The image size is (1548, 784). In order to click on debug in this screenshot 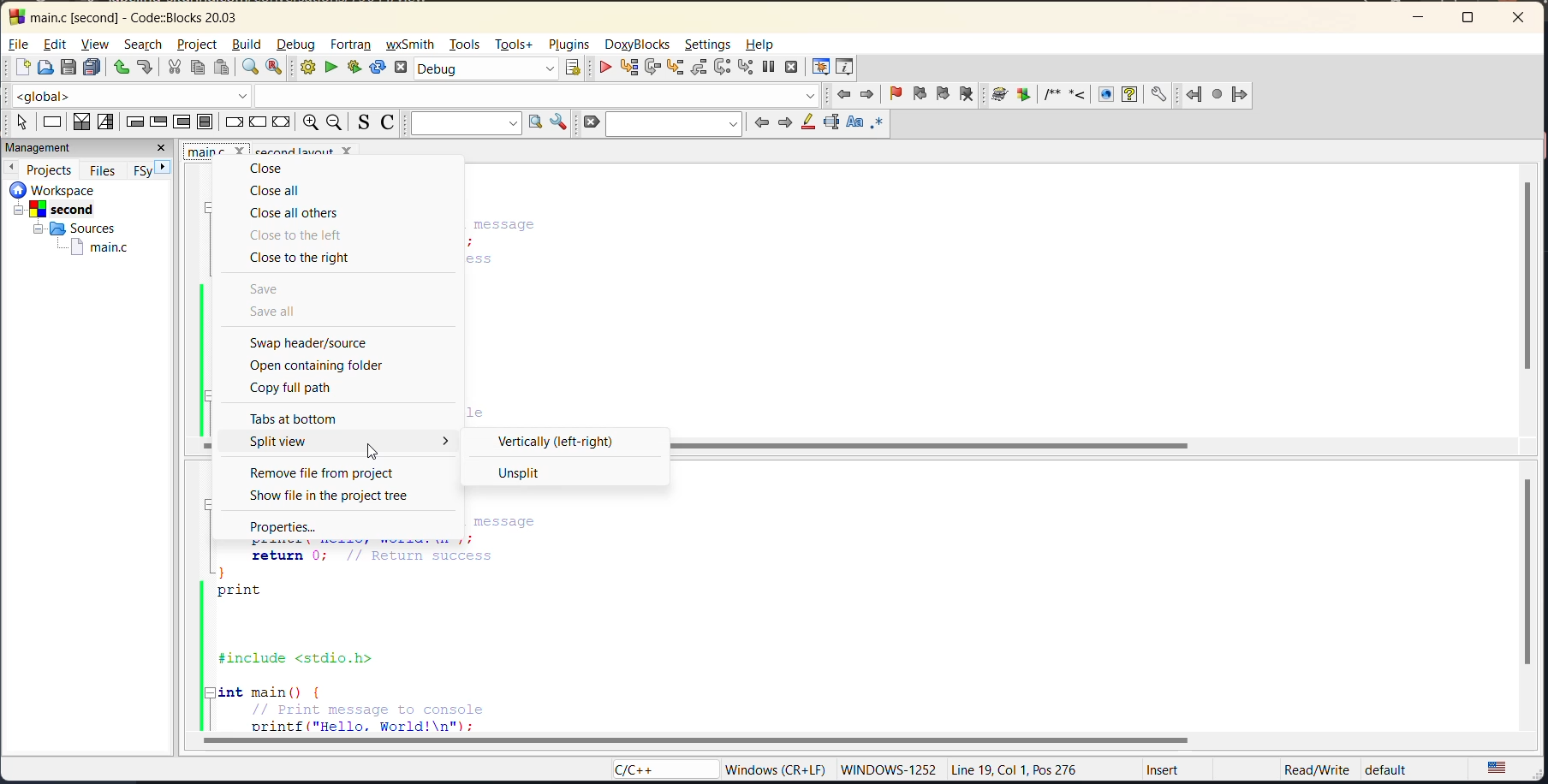, I will do `click(299, 45)`.